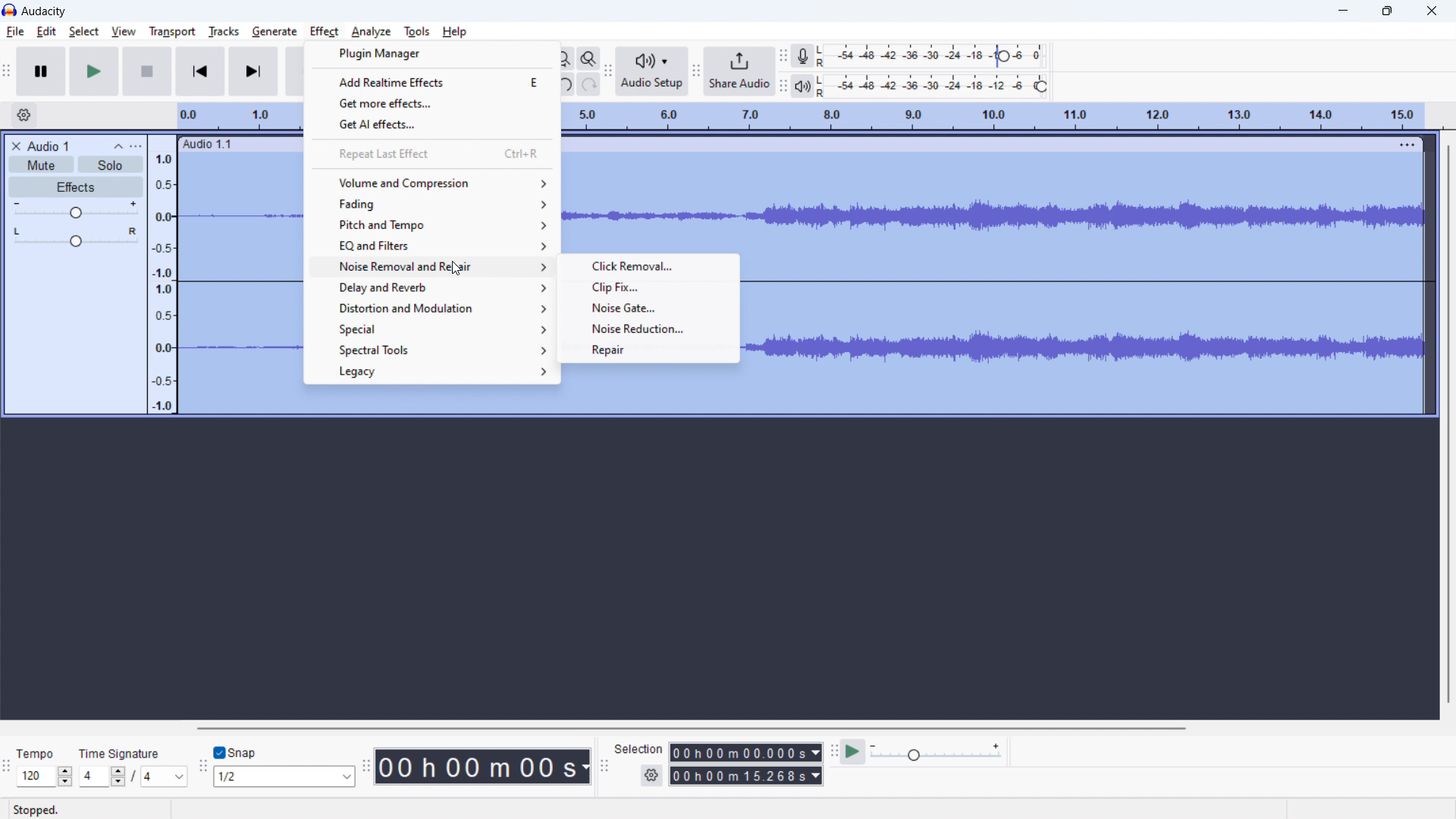 The height and width of the screenshot is (819, 1456). What do you see at coordinates (84, 32) in the screenshot?
I see `select` at bounding box center [84, 32].